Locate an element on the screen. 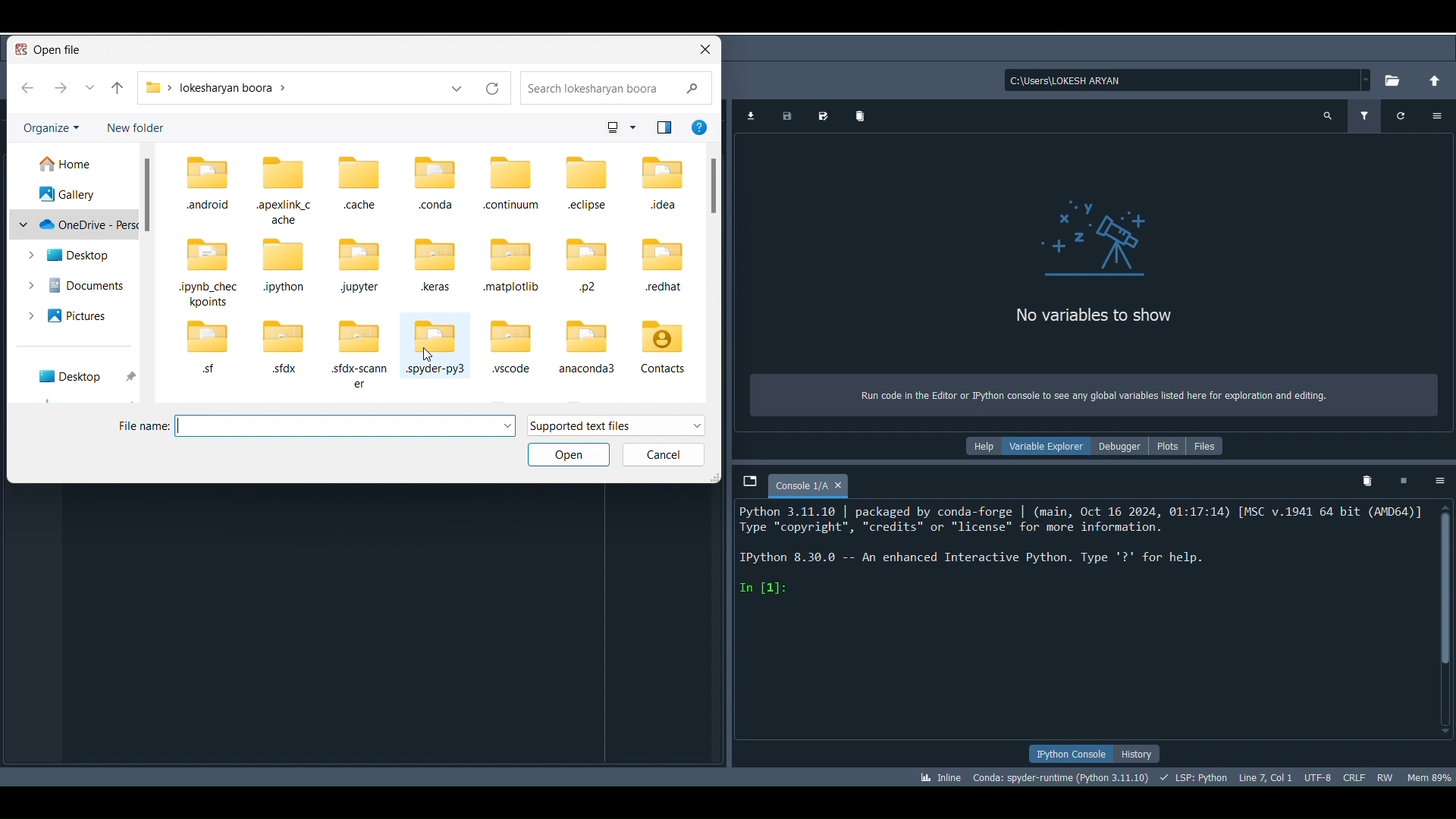 This screenshot has width=1456, height=819. Documents is located at coordinates (89, 286).